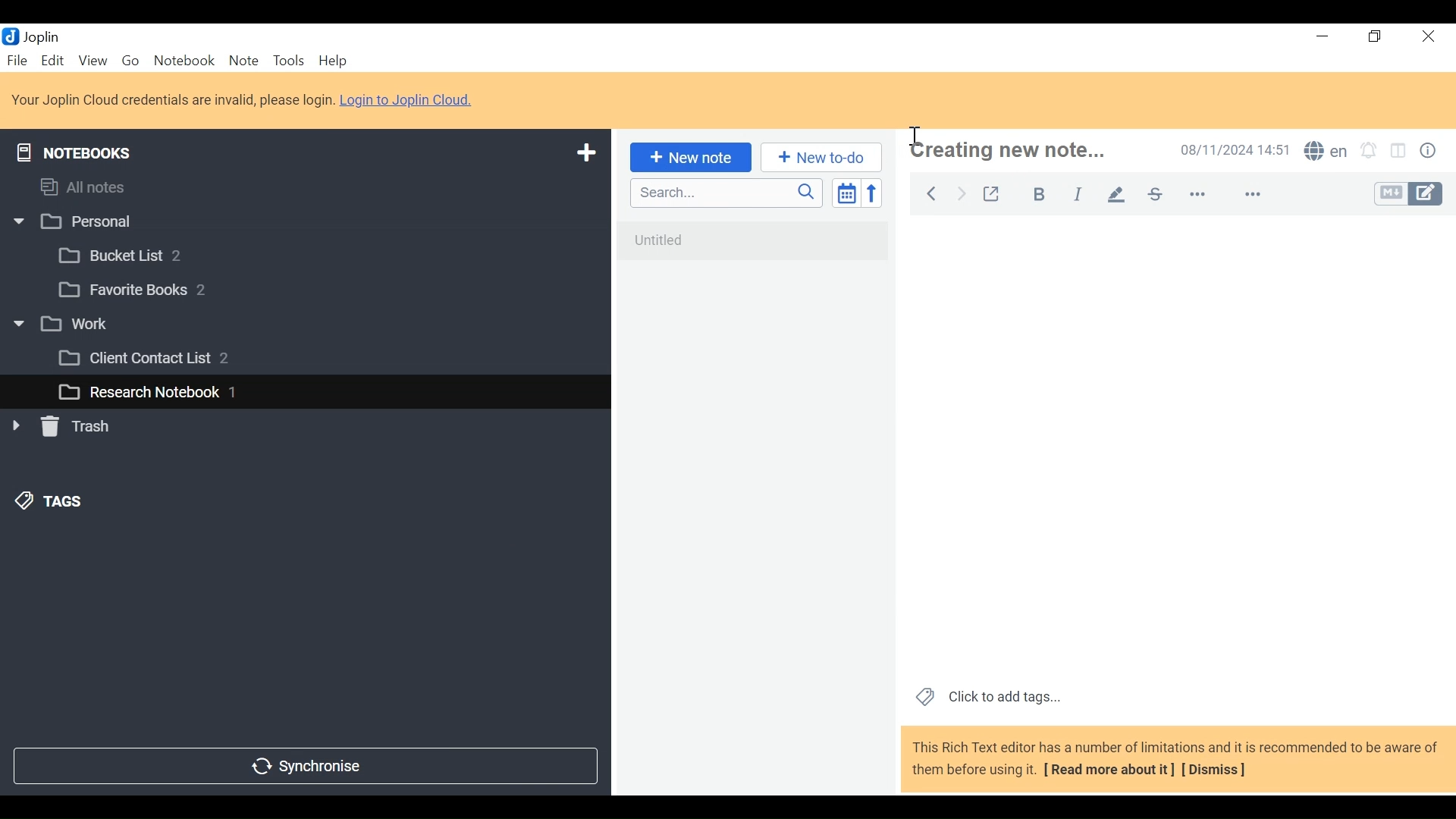 The height and width of the screenshot is (819, 1456). I want to click on Help, so click(335, 61).